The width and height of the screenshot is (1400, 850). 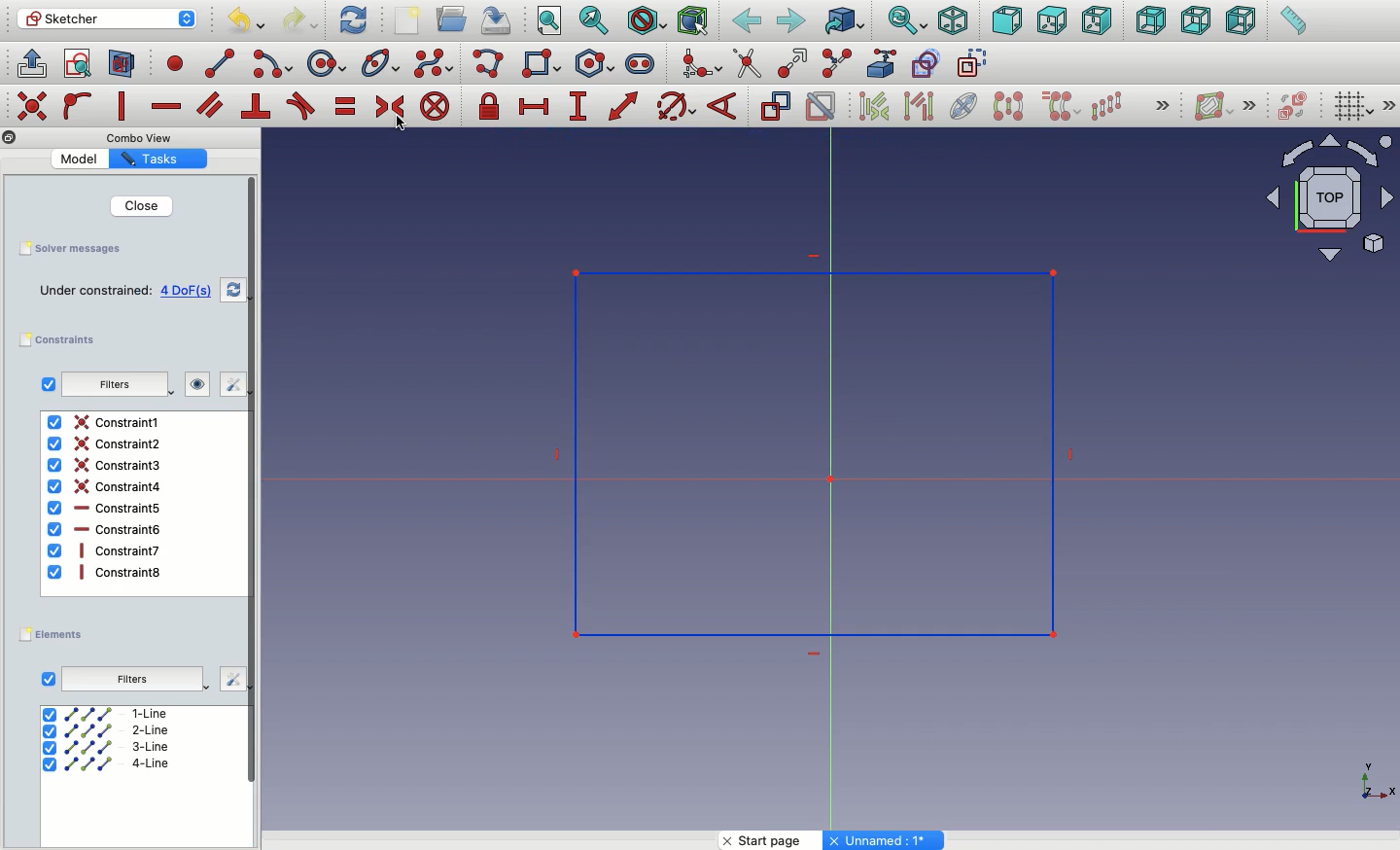 I want to click on Start page, so click(x=773, y=840).